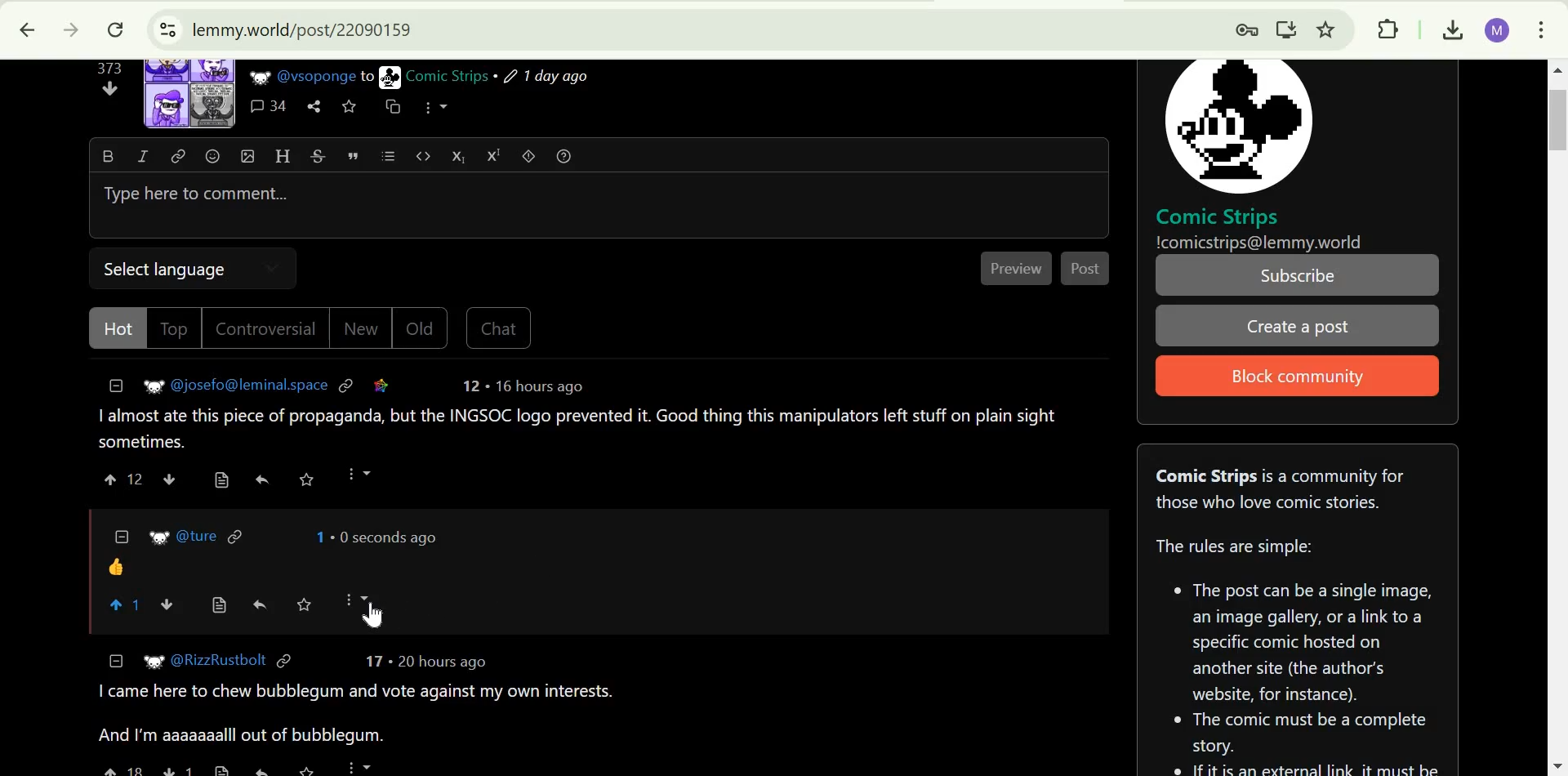  Describe the element at coordinates (447, 76) in the screenshot. I see `Comic Strips` at that location.